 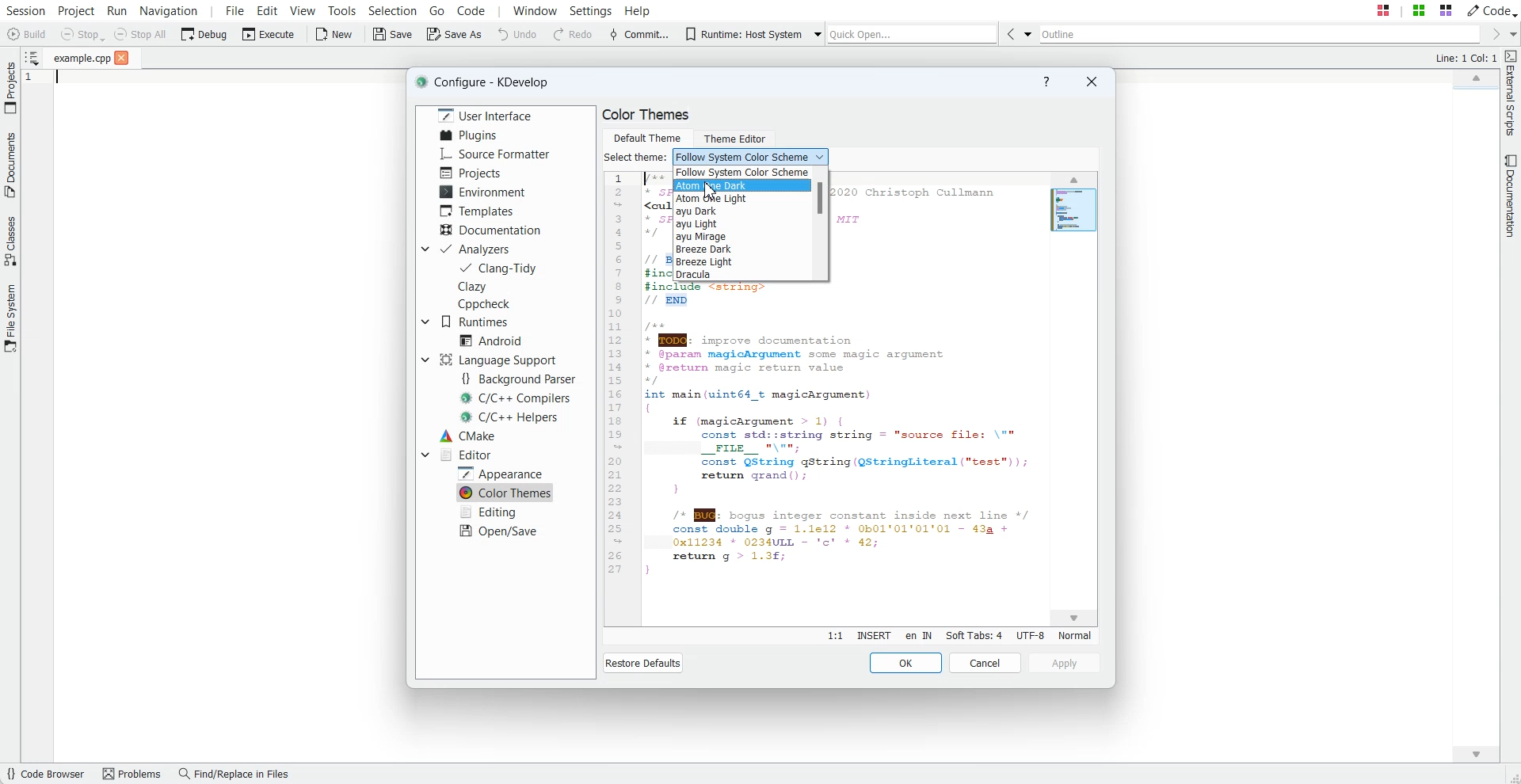 I want to click on Insert, so click(x=873, y=636).